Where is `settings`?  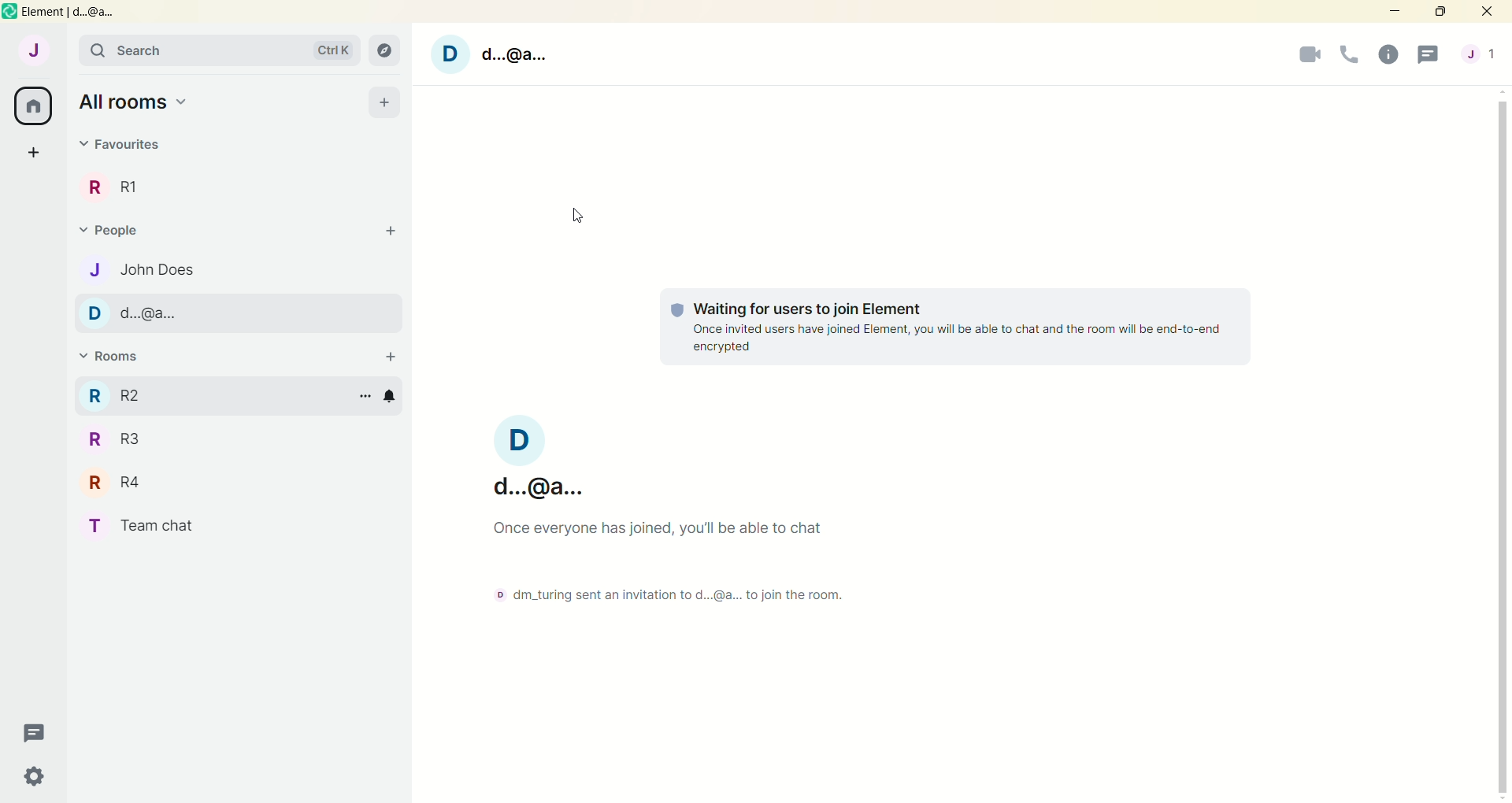
settings is located at coordinates (34, 776).